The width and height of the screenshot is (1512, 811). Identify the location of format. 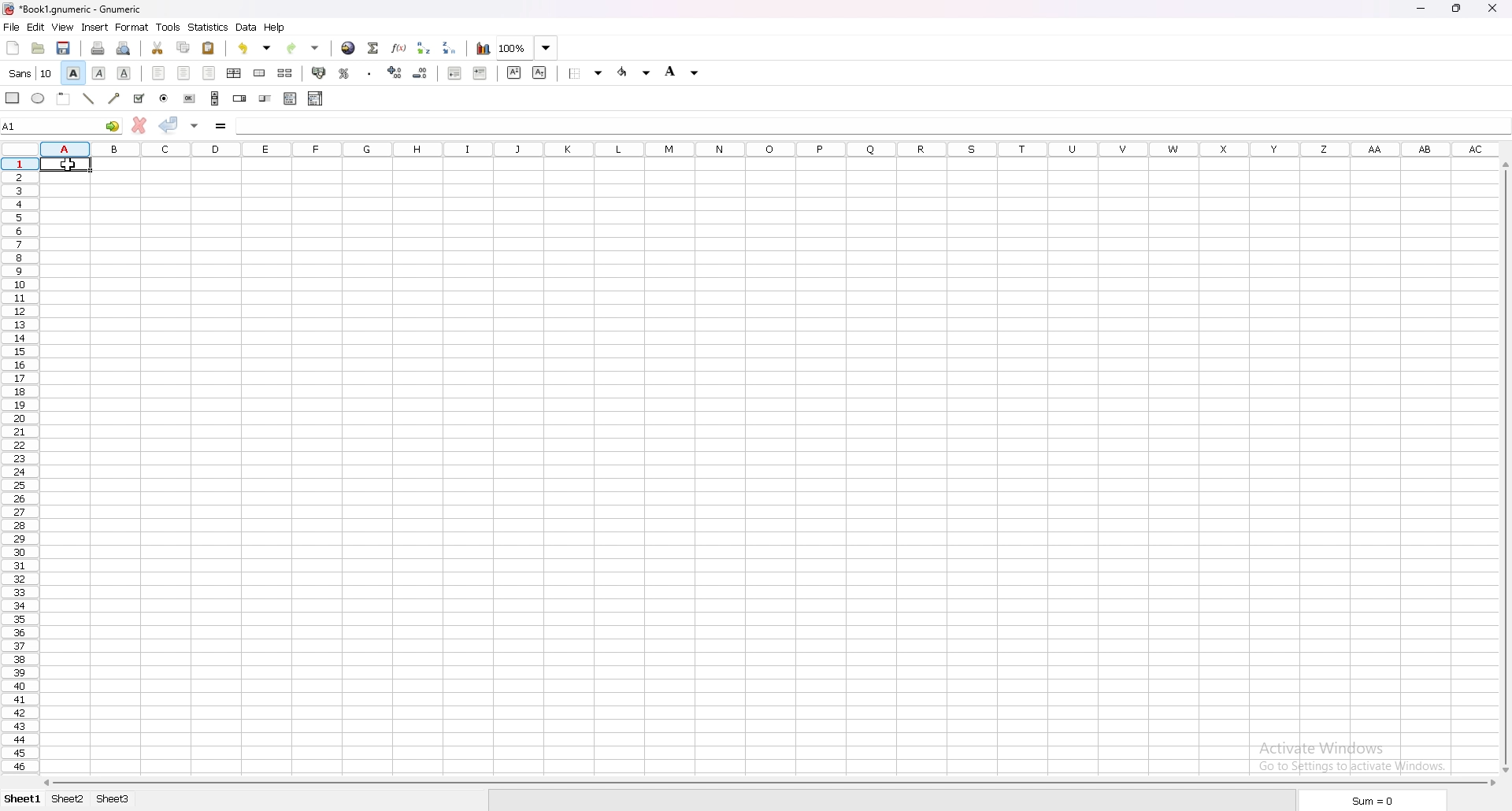
(133, 27).